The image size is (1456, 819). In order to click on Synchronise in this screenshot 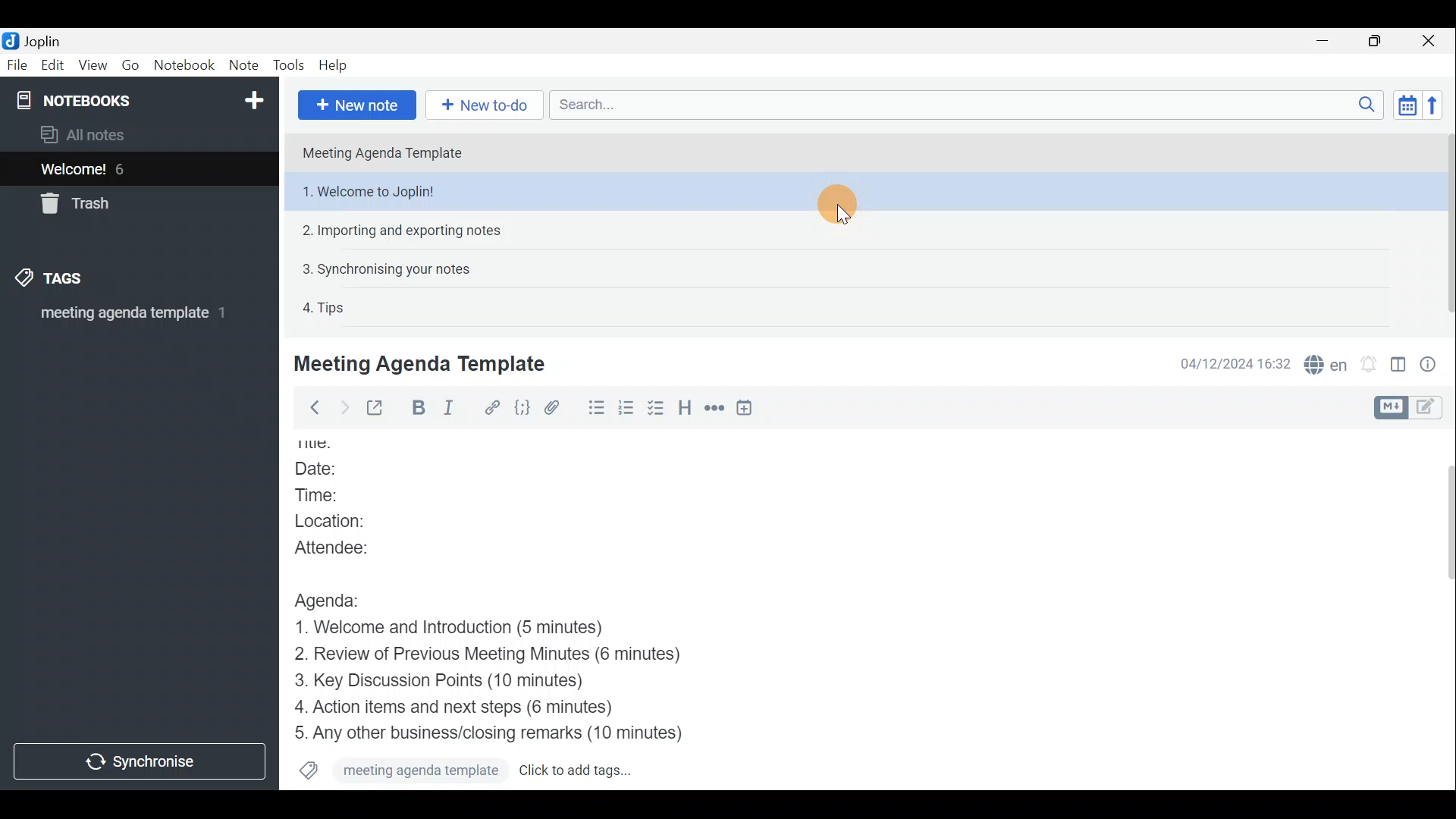, I will do `click(139, 761)`.